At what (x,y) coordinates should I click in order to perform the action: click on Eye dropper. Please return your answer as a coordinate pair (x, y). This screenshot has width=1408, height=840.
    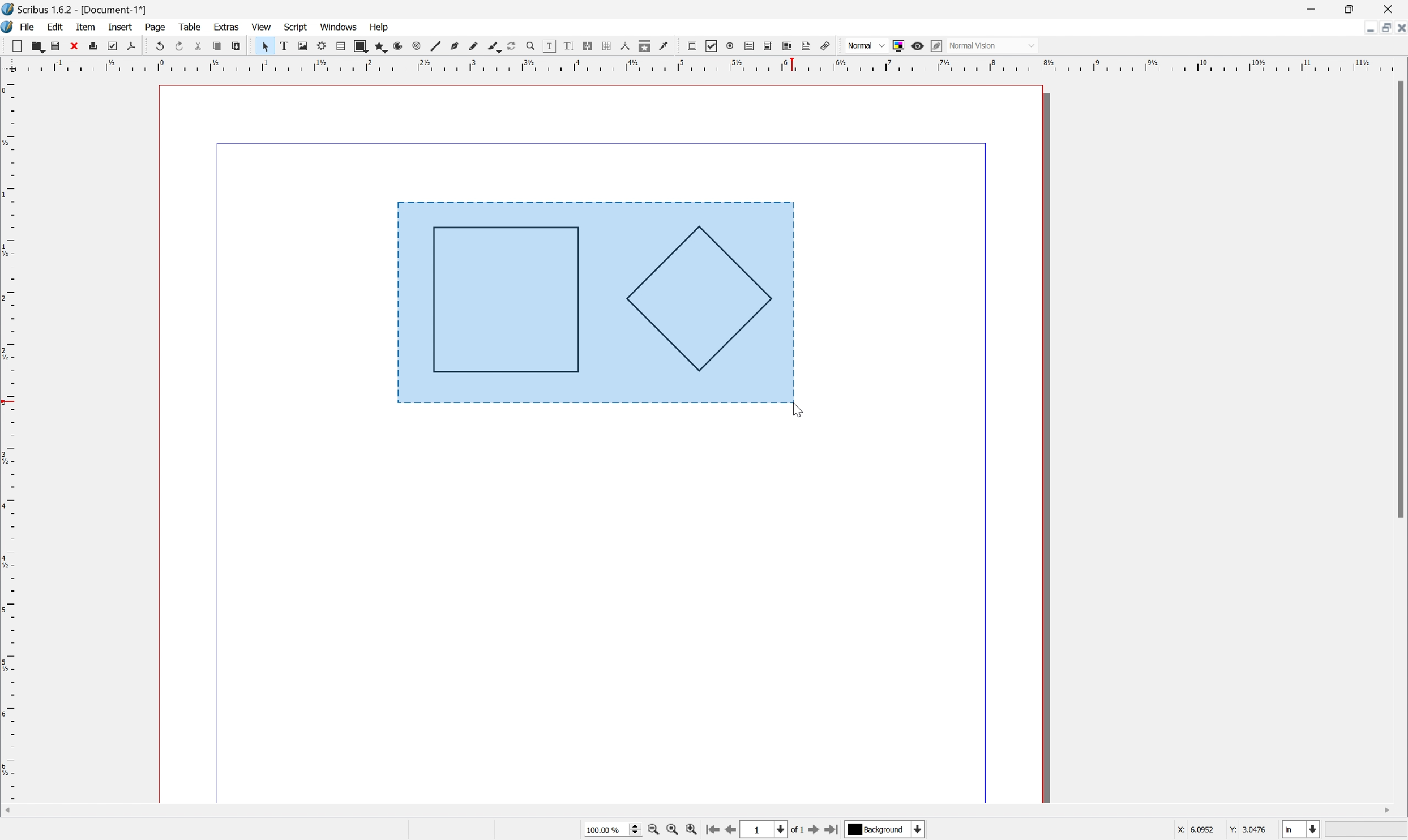
    Looking at the image, I should click on (664, 45).